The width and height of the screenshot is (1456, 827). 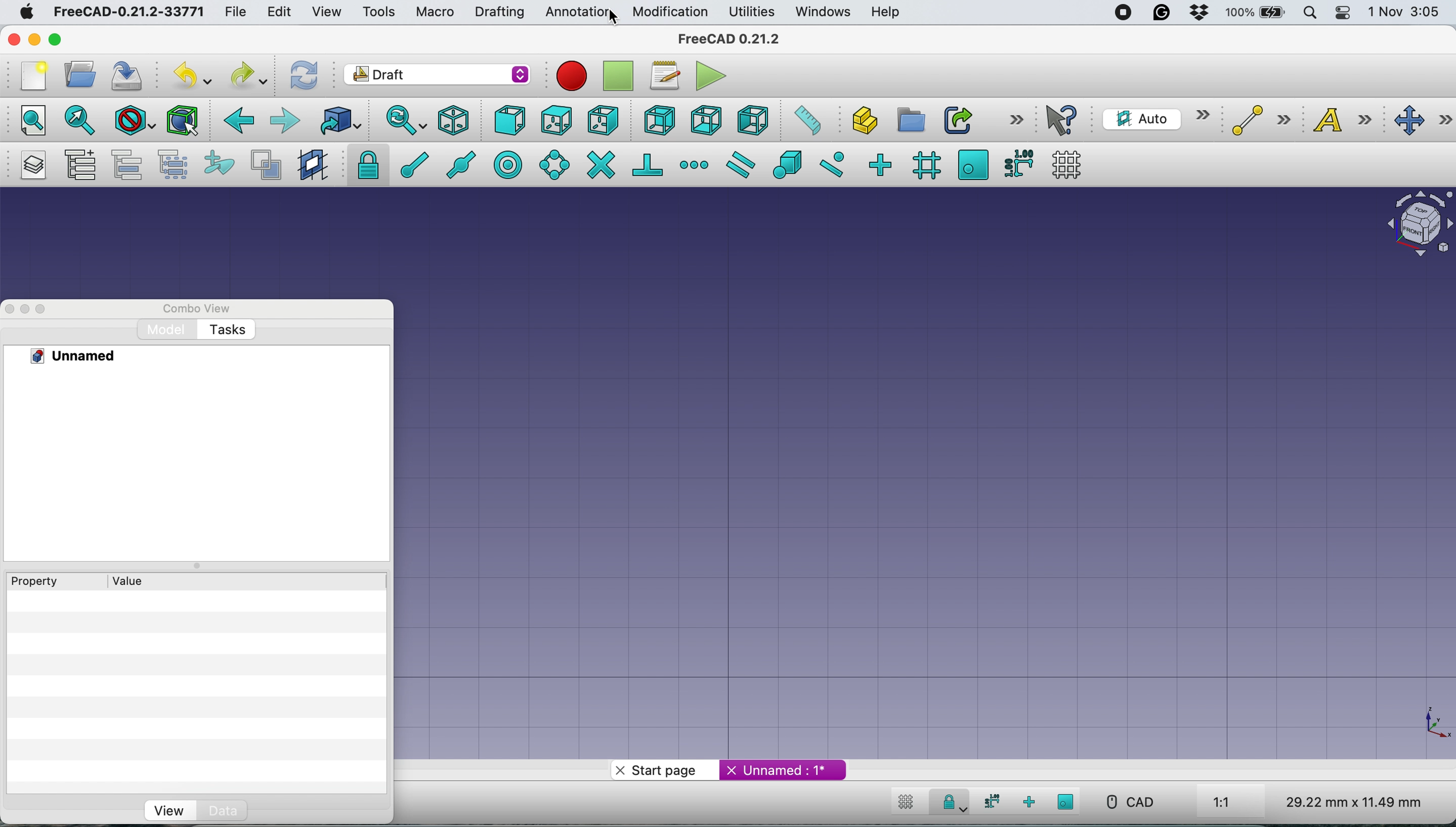 What do you see at coordinates (949, 801) in the screenshot?
I see `snap lock` at bounding box center [949, 801].